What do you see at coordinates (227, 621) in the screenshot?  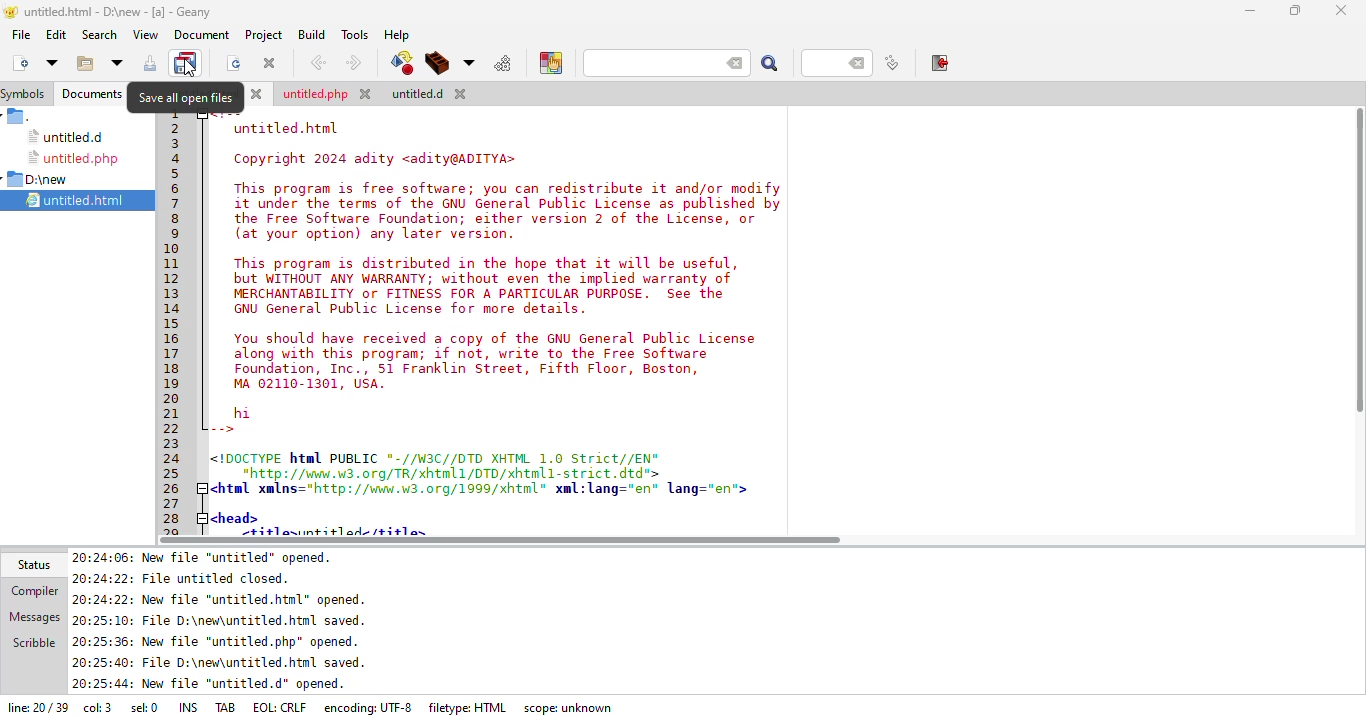 I see `status update` at bounding box center [227, 621].